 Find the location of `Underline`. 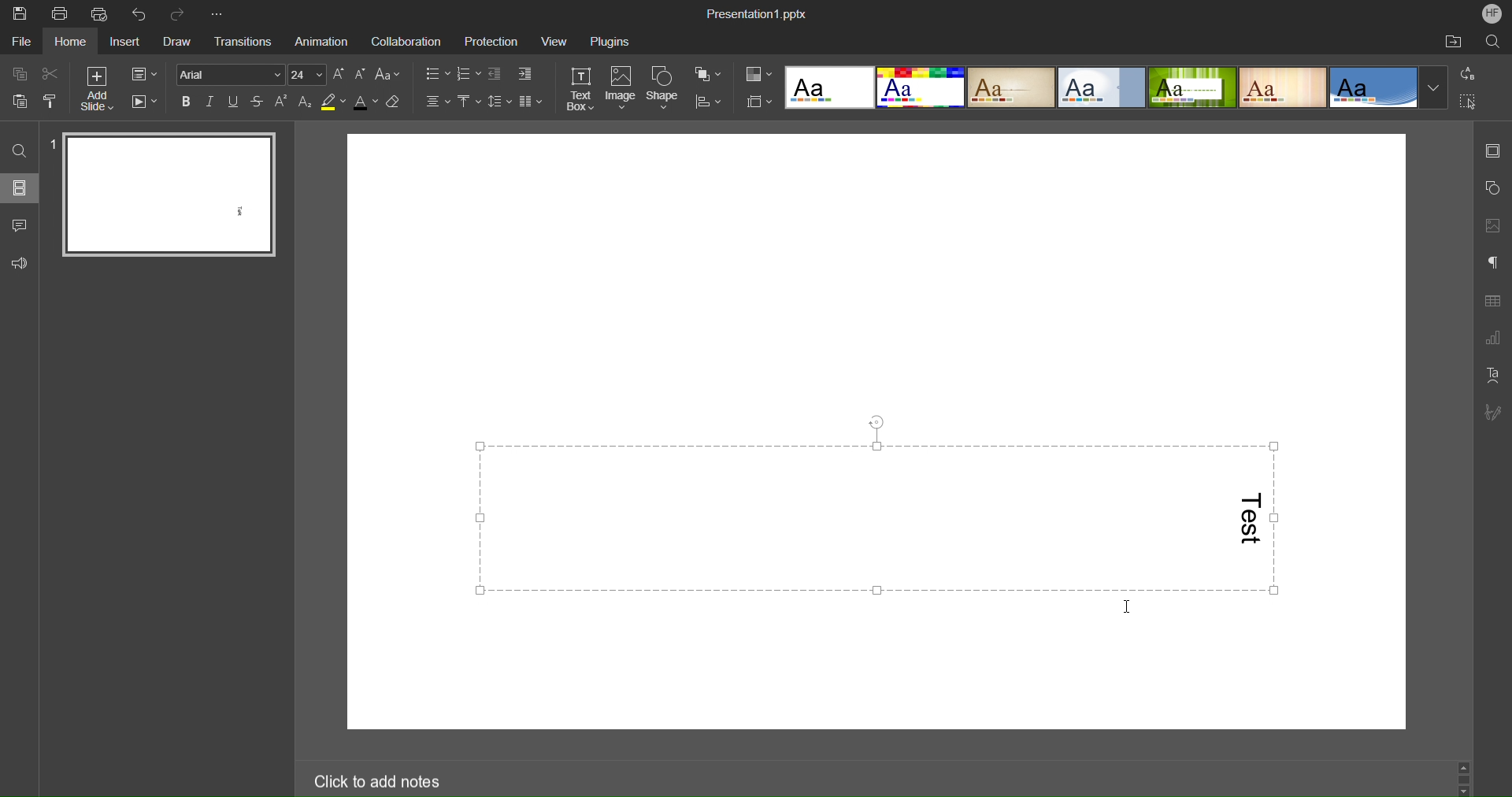

Underline is located at coordinates (235, 102).